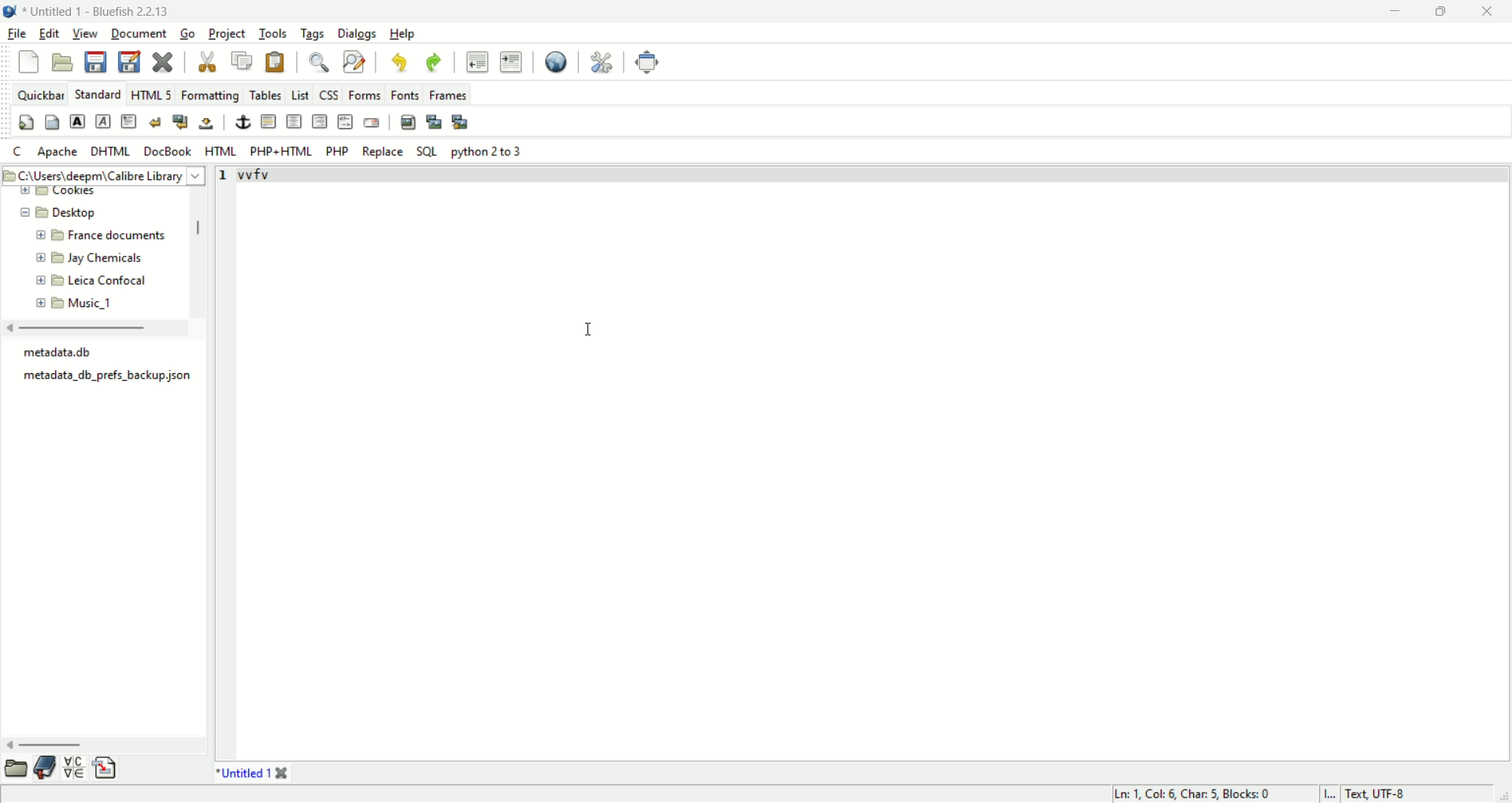 Image resolution: width=1512 pixels, height=803 pixels. What do you see at coordinates (276, 32) in the screenshot?
I see `tools` at bounding box center [276, 32].